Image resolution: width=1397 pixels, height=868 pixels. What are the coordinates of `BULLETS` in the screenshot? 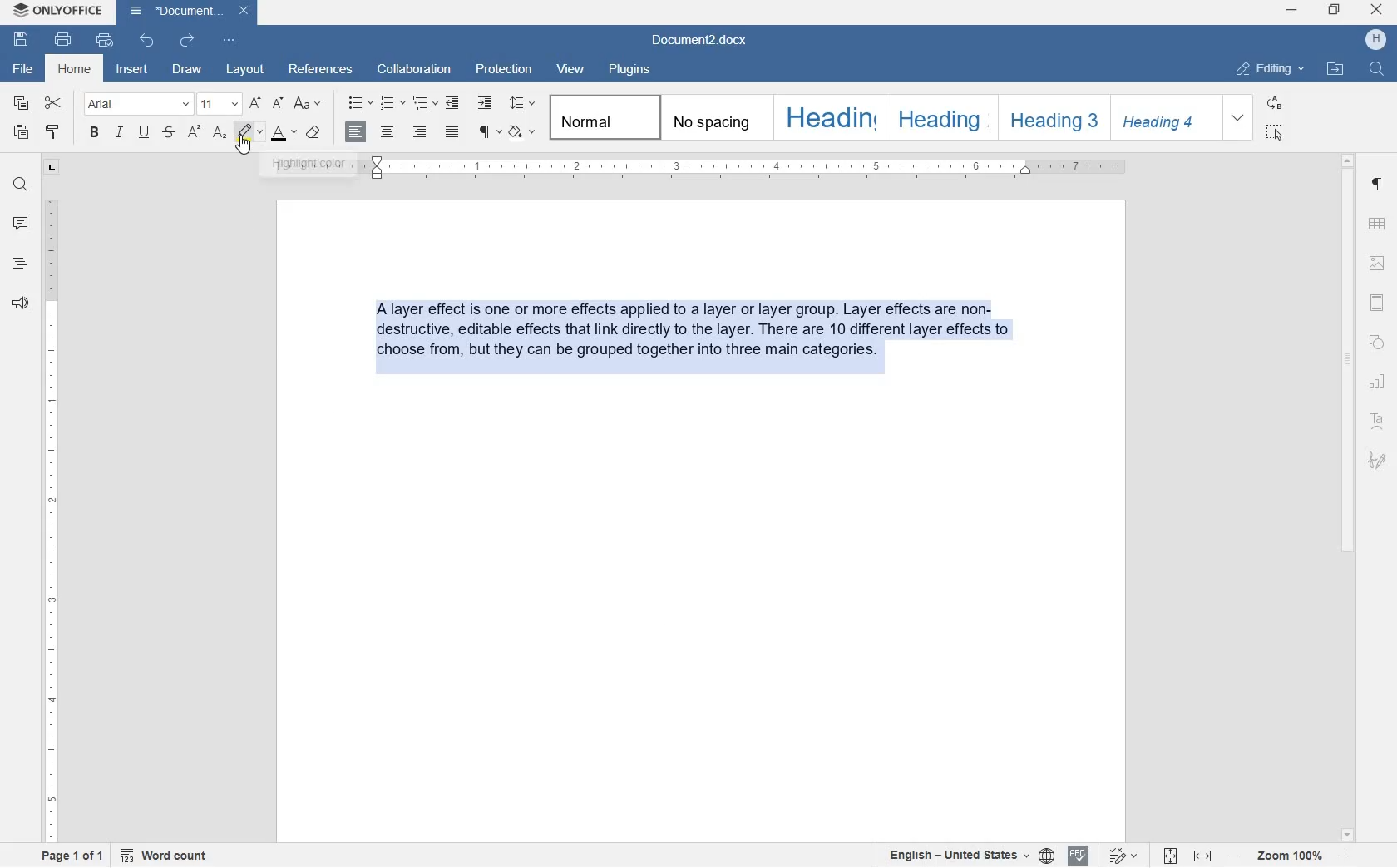 It's located at (359, 104).